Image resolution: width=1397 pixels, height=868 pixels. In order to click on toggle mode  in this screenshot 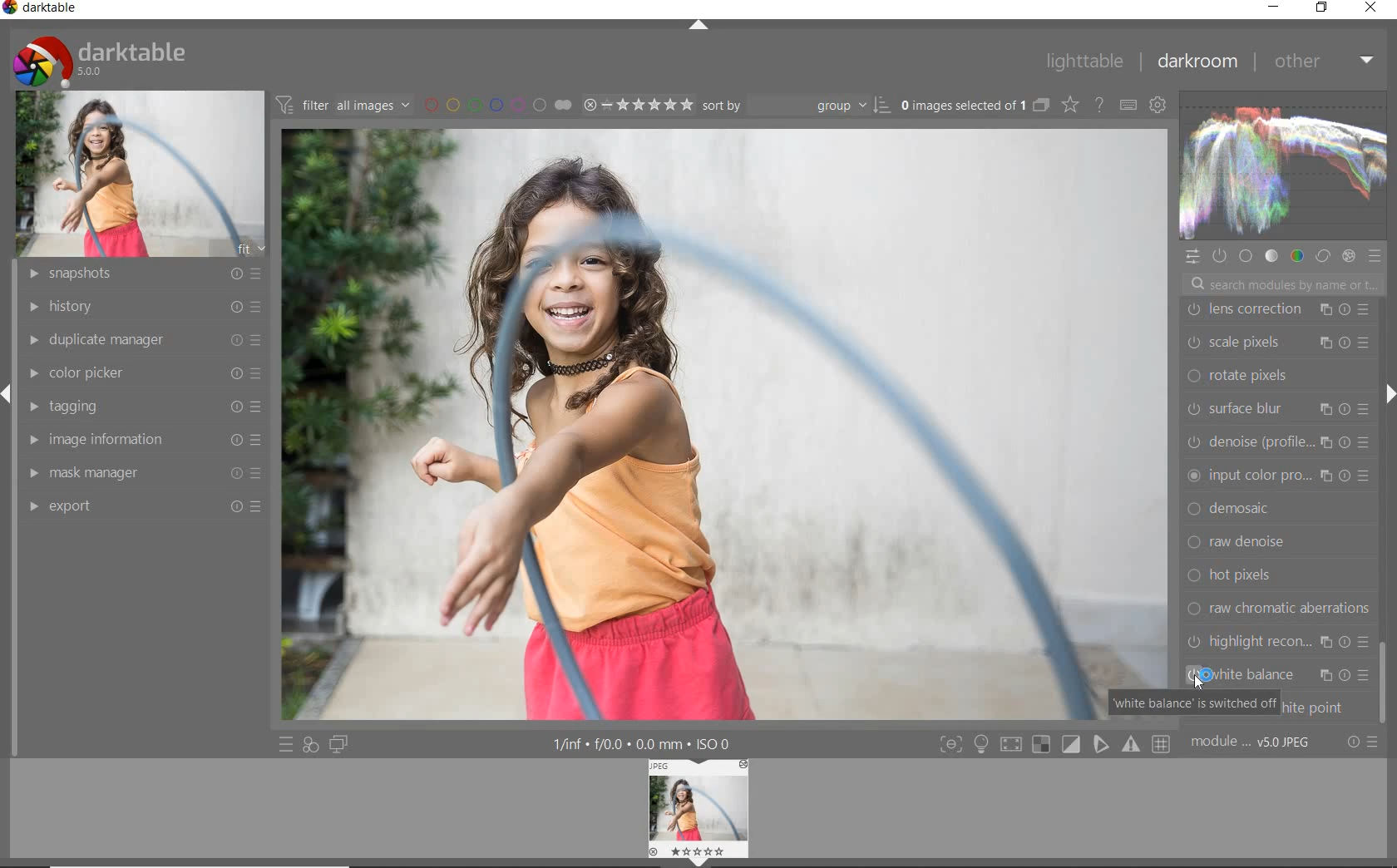, I will do `click(1014, 743)`.